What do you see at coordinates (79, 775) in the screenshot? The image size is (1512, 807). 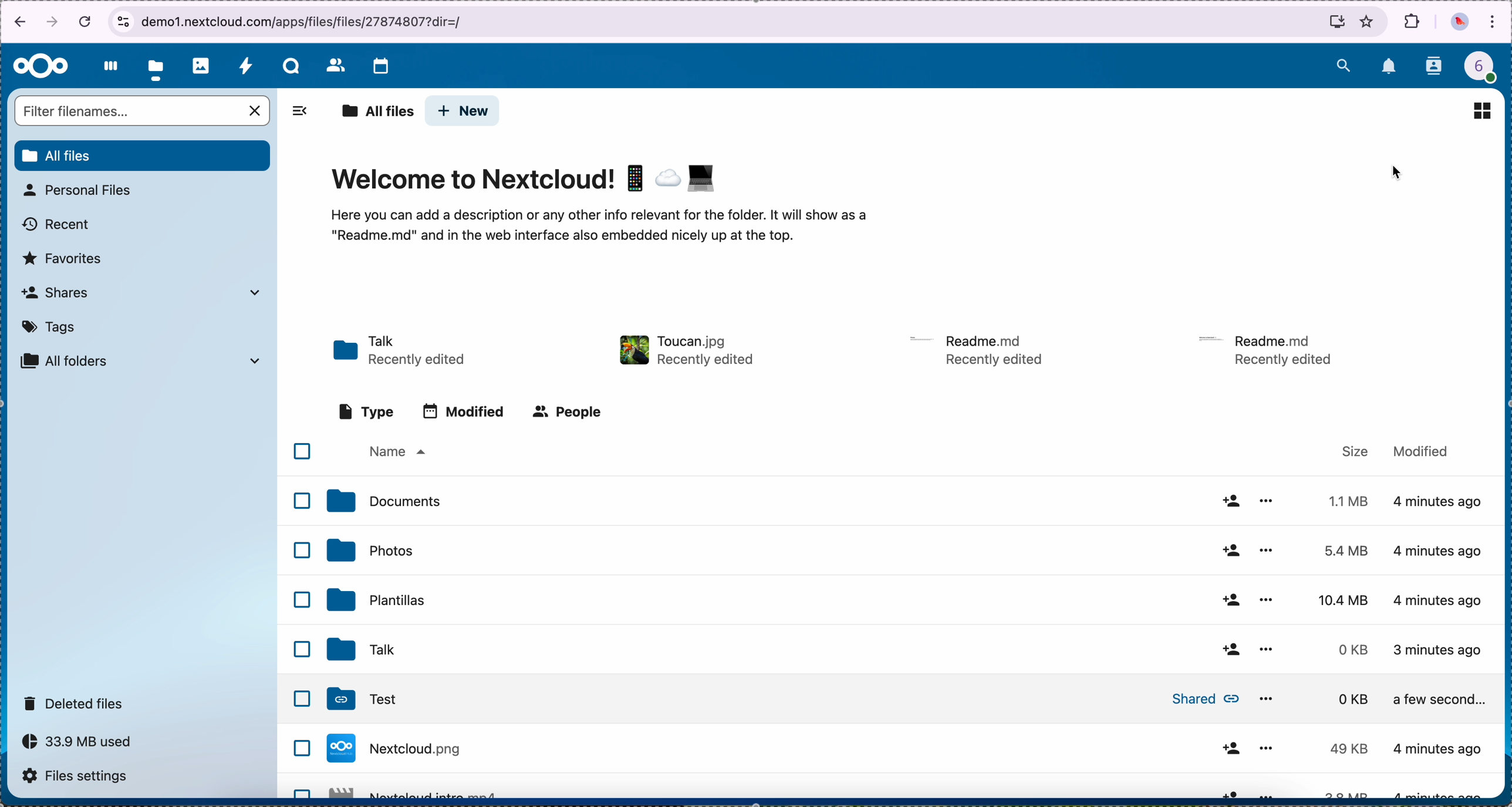 I see `files settings` at bounding box center [79, 775].